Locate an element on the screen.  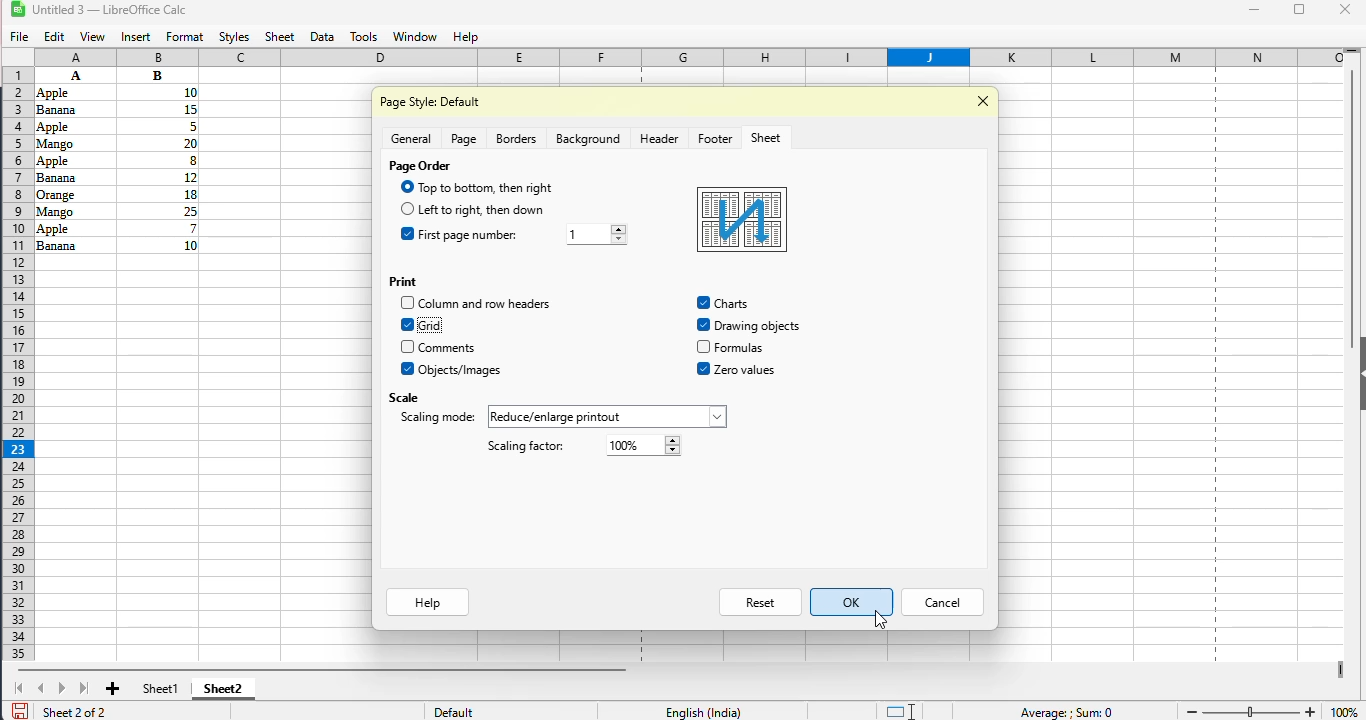
window is located at coordinates (414, 37).